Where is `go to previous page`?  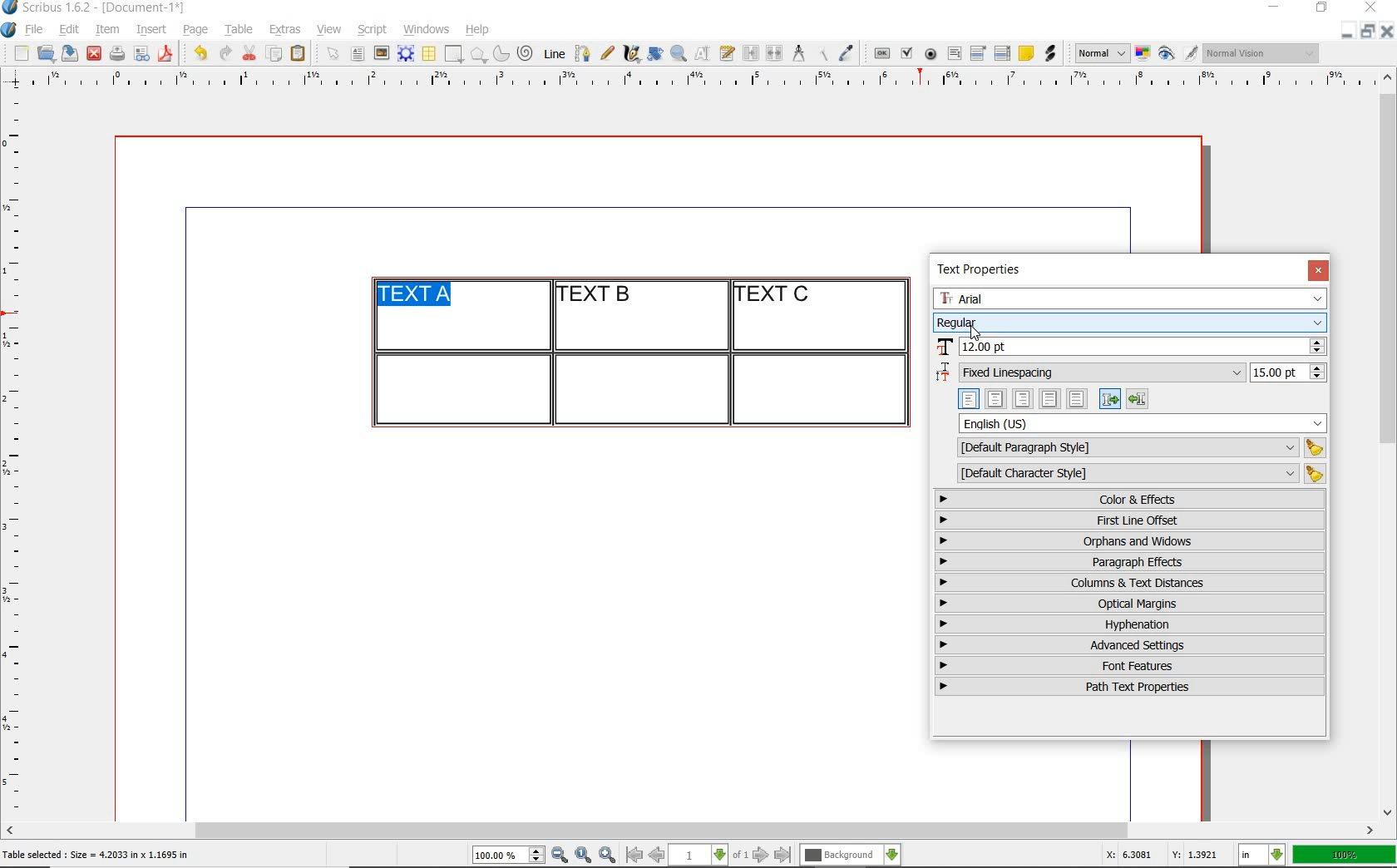 go to previous page is located at coordinates (656, 856).